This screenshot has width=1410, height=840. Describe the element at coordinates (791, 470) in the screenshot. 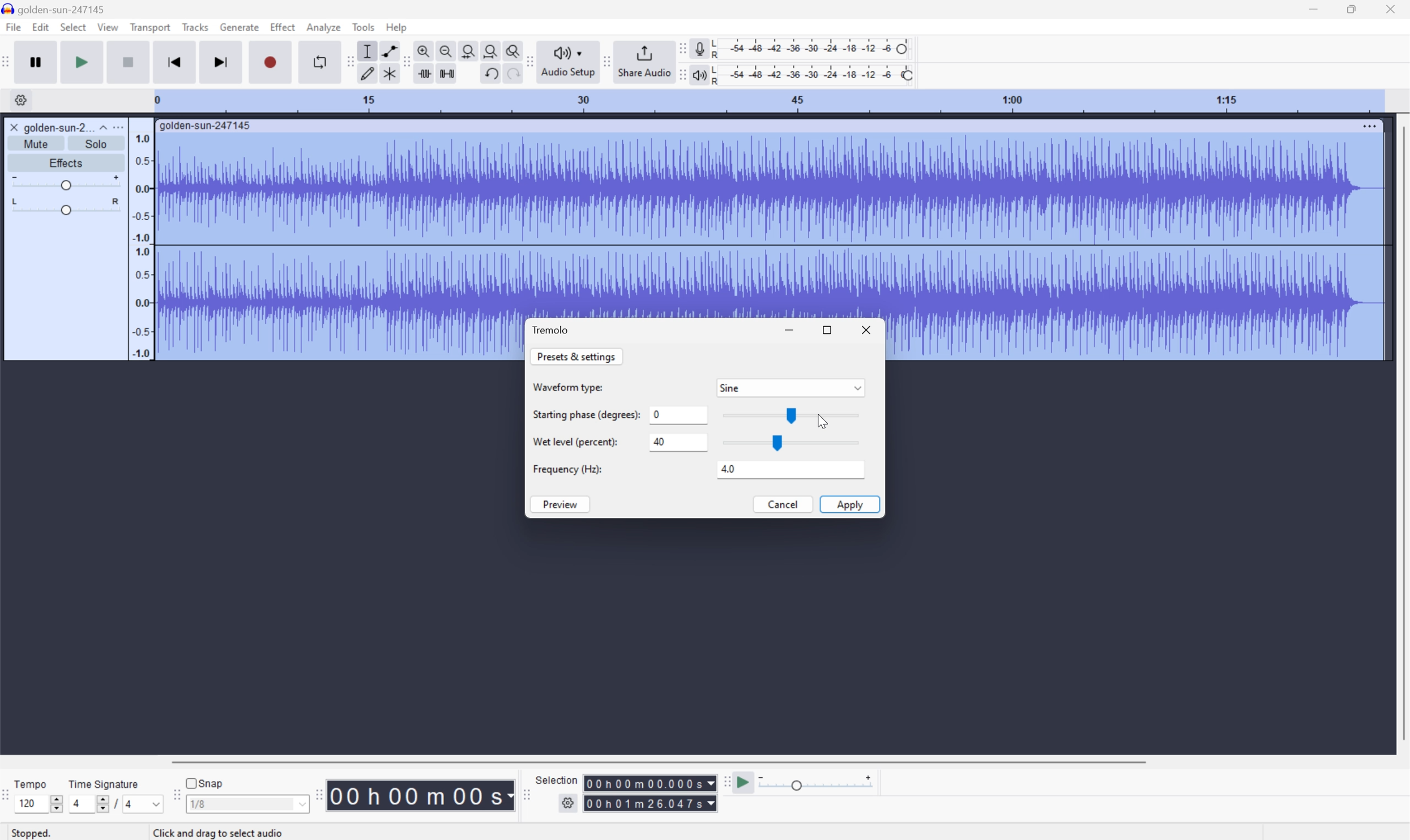

I see `4.0` at that location.